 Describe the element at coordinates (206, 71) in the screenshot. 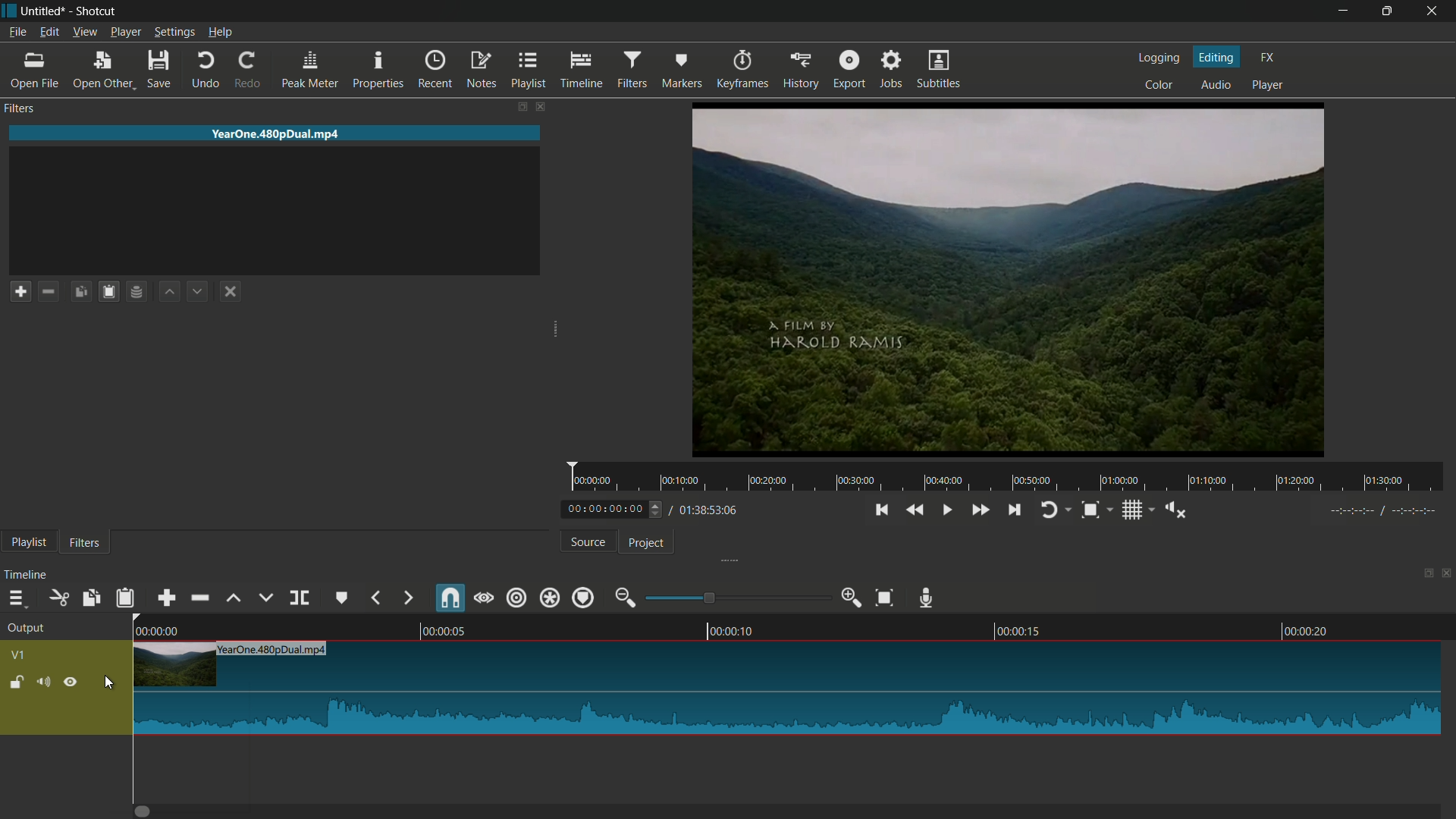

I see `undo` at that location.